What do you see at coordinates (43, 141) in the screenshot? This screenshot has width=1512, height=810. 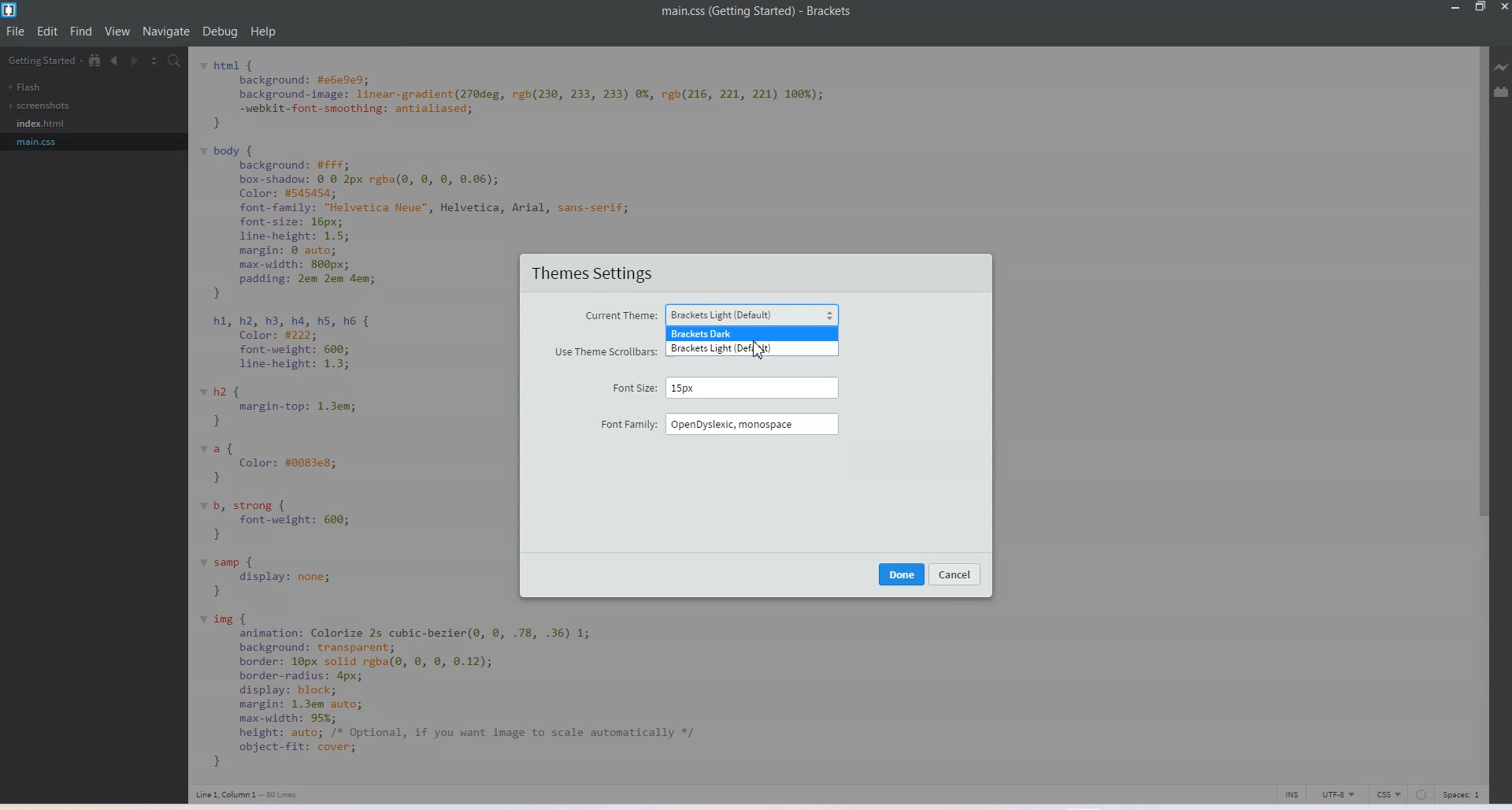 I see `main.css` at bounding box center [43, 141].